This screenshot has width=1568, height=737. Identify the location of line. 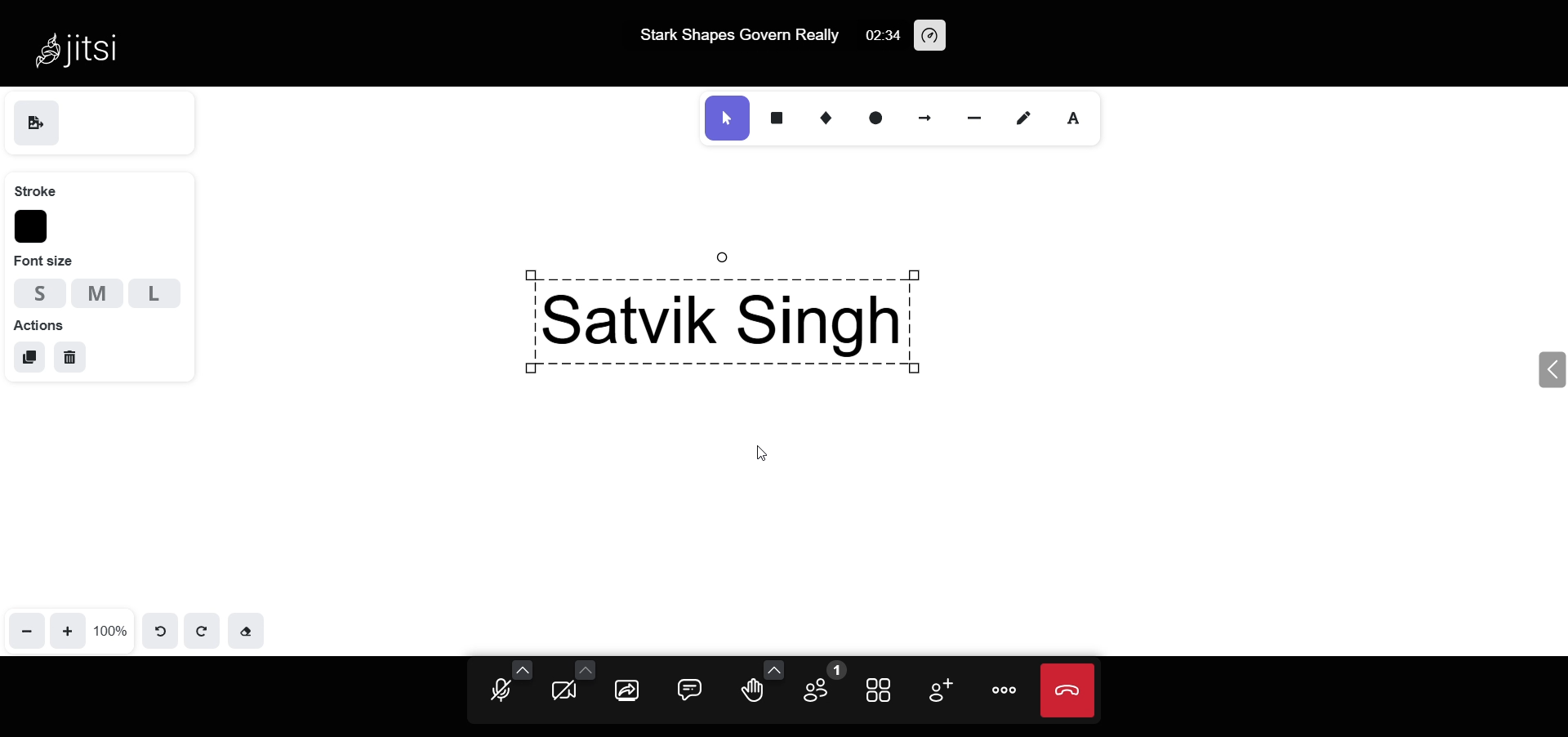
(982, 116).